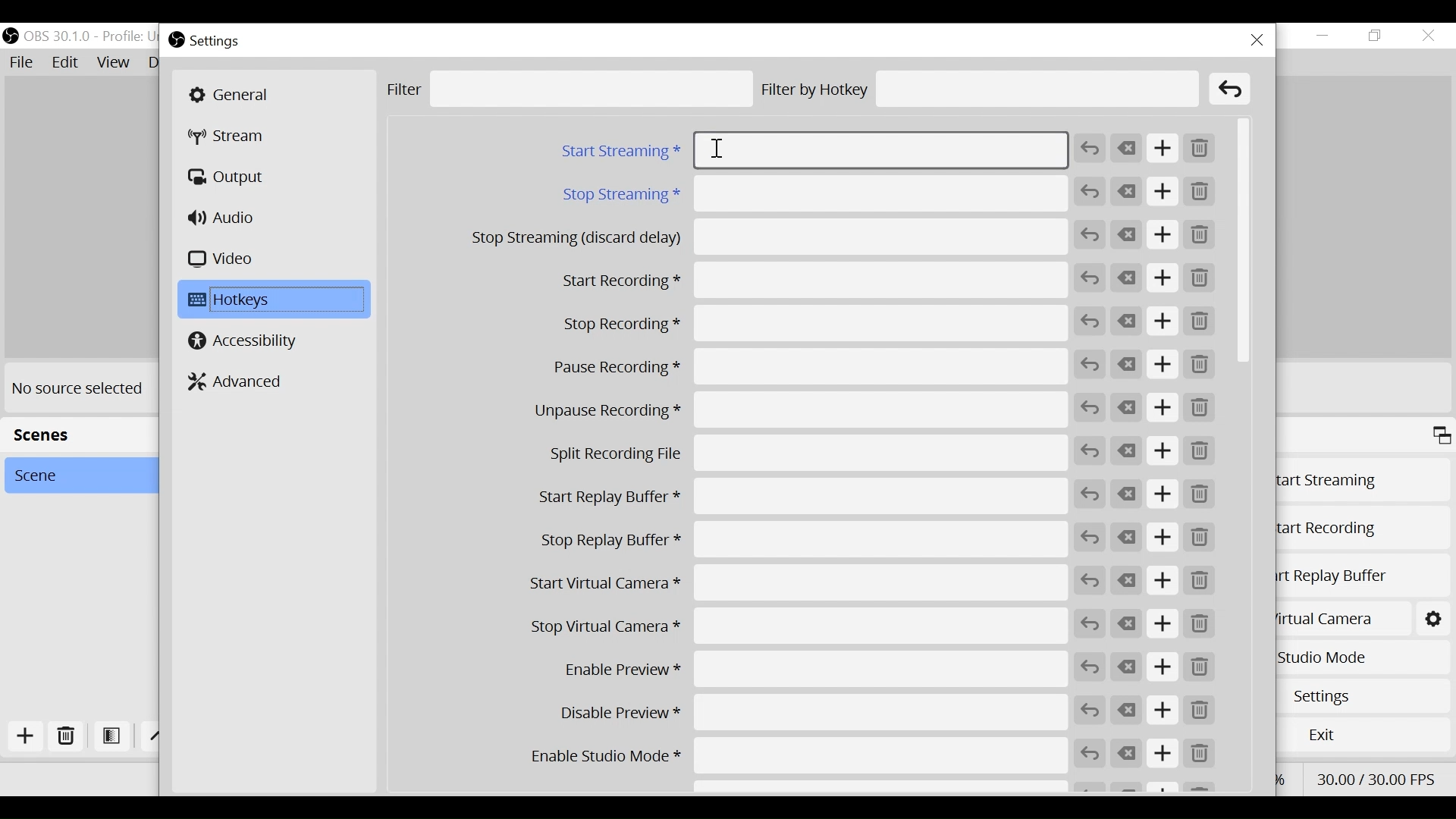 This screenshot has height=819, width=1456. Describe the element at coordinates (115, 62) in the screenshot. I see `View` at that location.